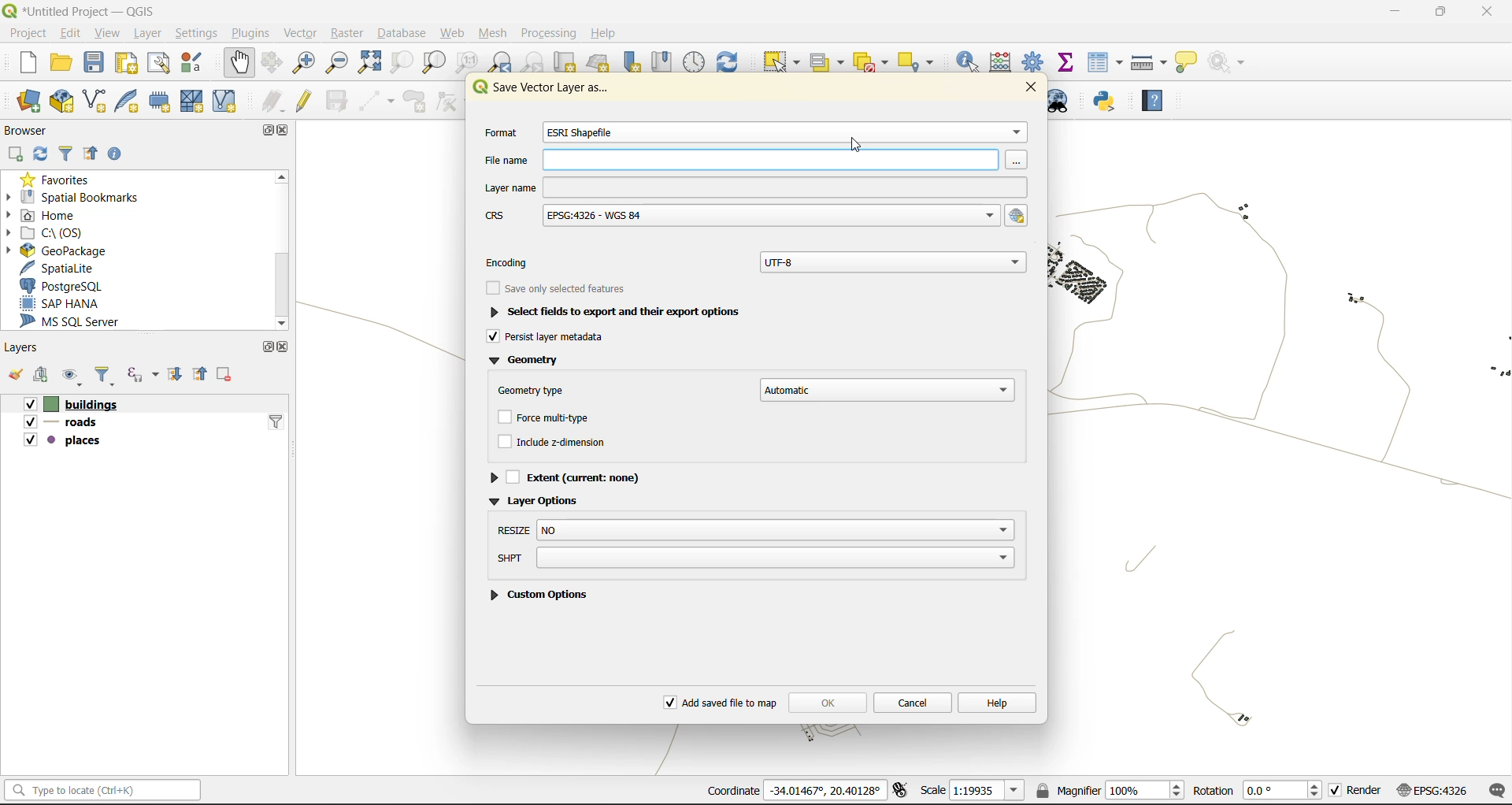 Image resolution: width=1512 pixels, height=805 pixels. Describe the element at coordinates (695, 61) in the screenshot. I see `control panel` at that location.